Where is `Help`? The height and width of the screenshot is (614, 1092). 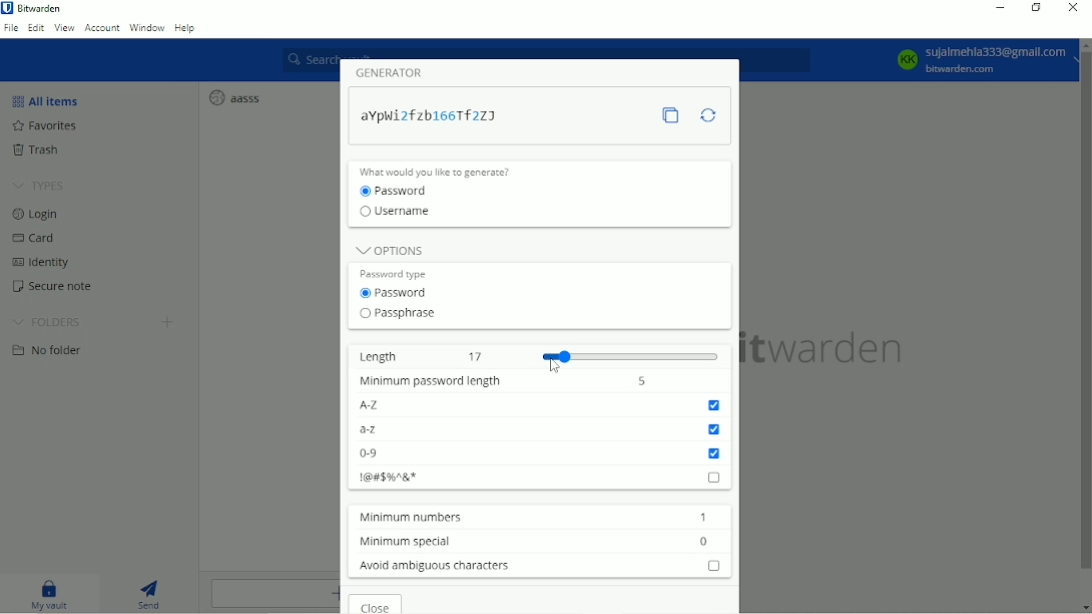 Help is located at coordinates (185, 29).